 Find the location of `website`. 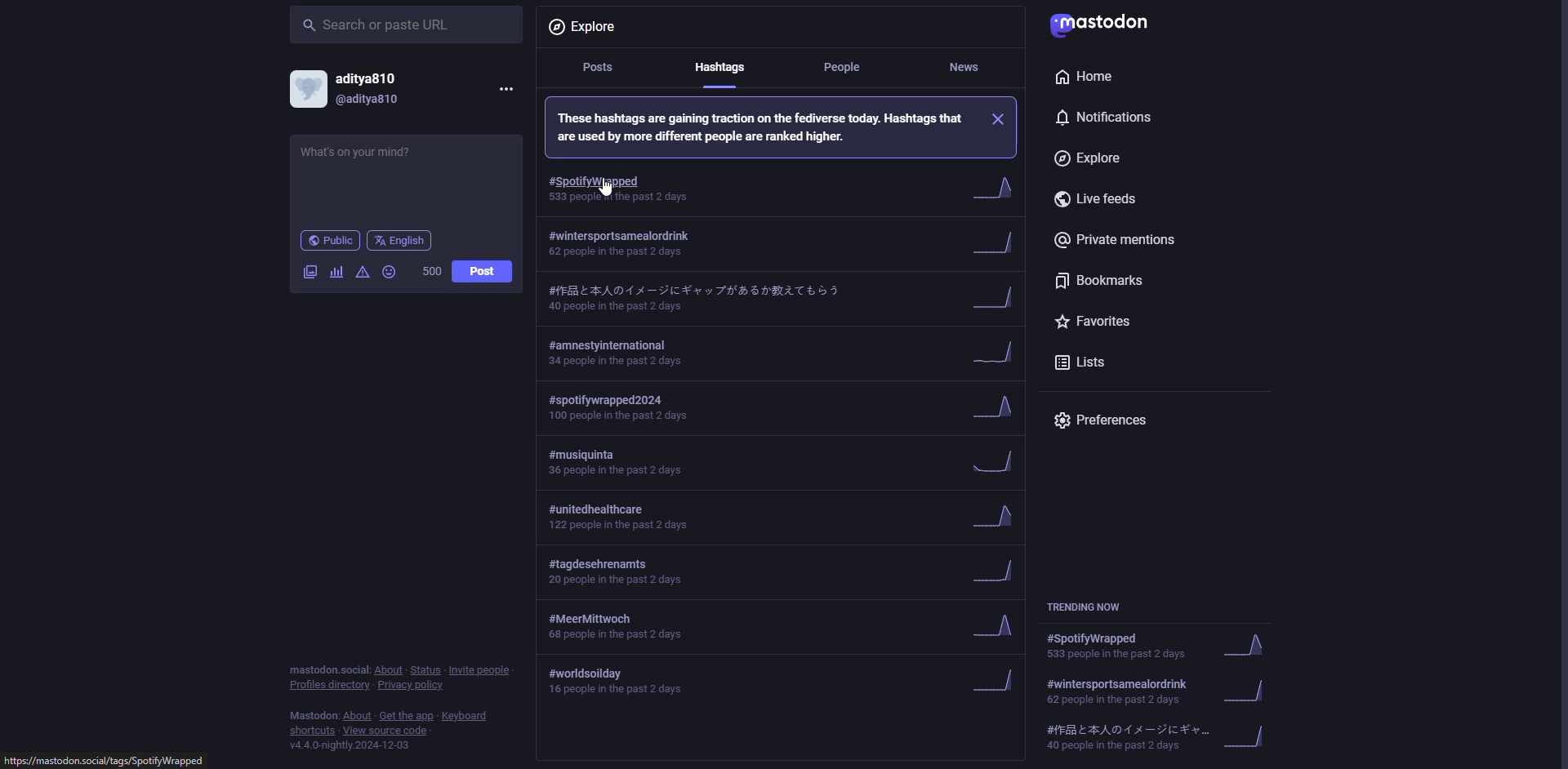

website is located at coordinates (105, 760).